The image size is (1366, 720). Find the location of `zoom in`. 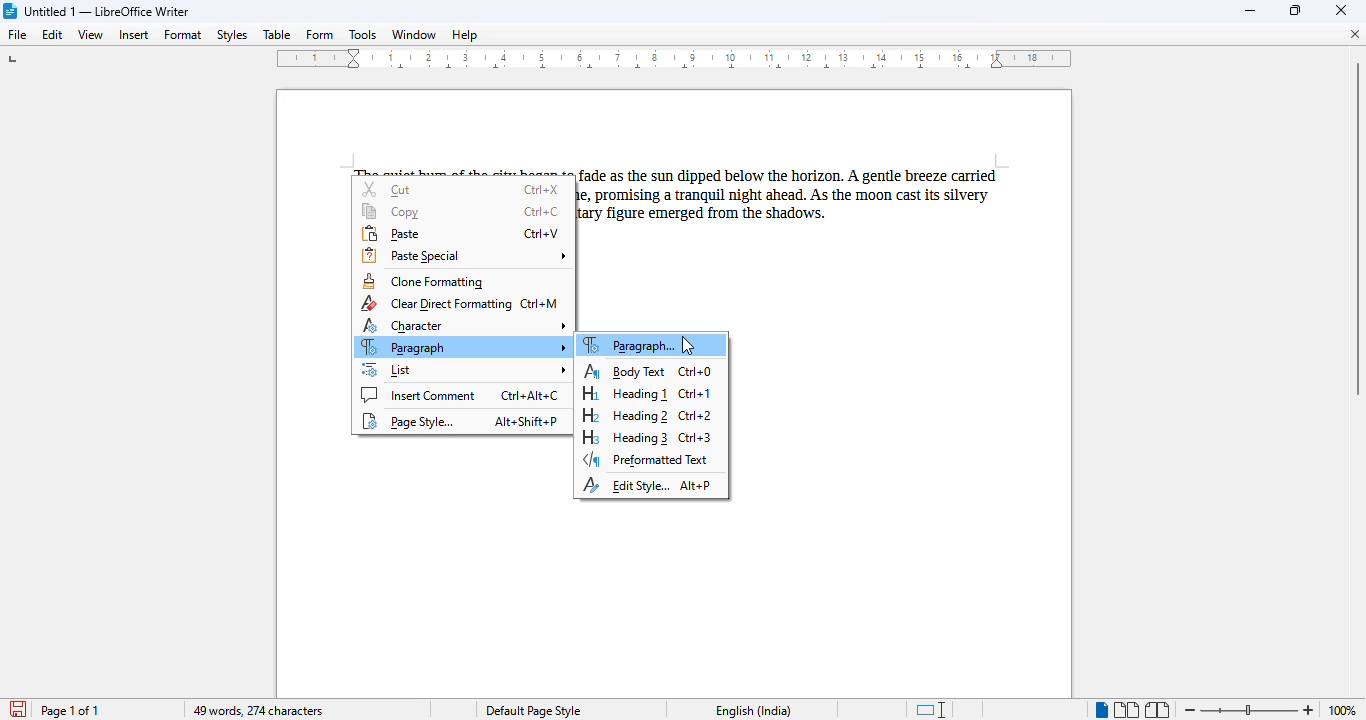

zoom in is located at coordinates (1308, 710).